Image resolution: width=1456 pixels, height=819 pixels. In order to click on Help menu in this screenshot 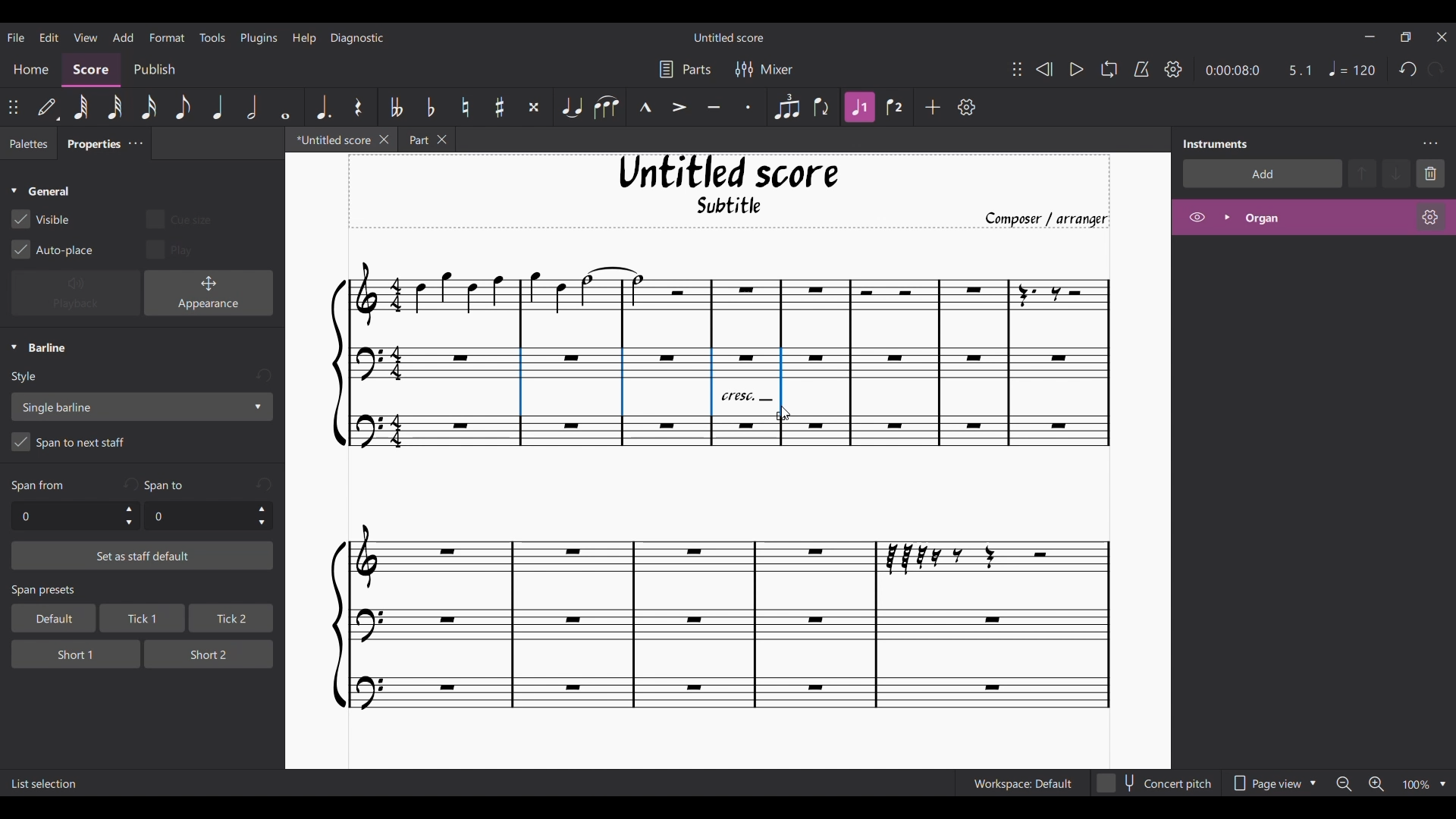, I will do `click(304, 37)`.